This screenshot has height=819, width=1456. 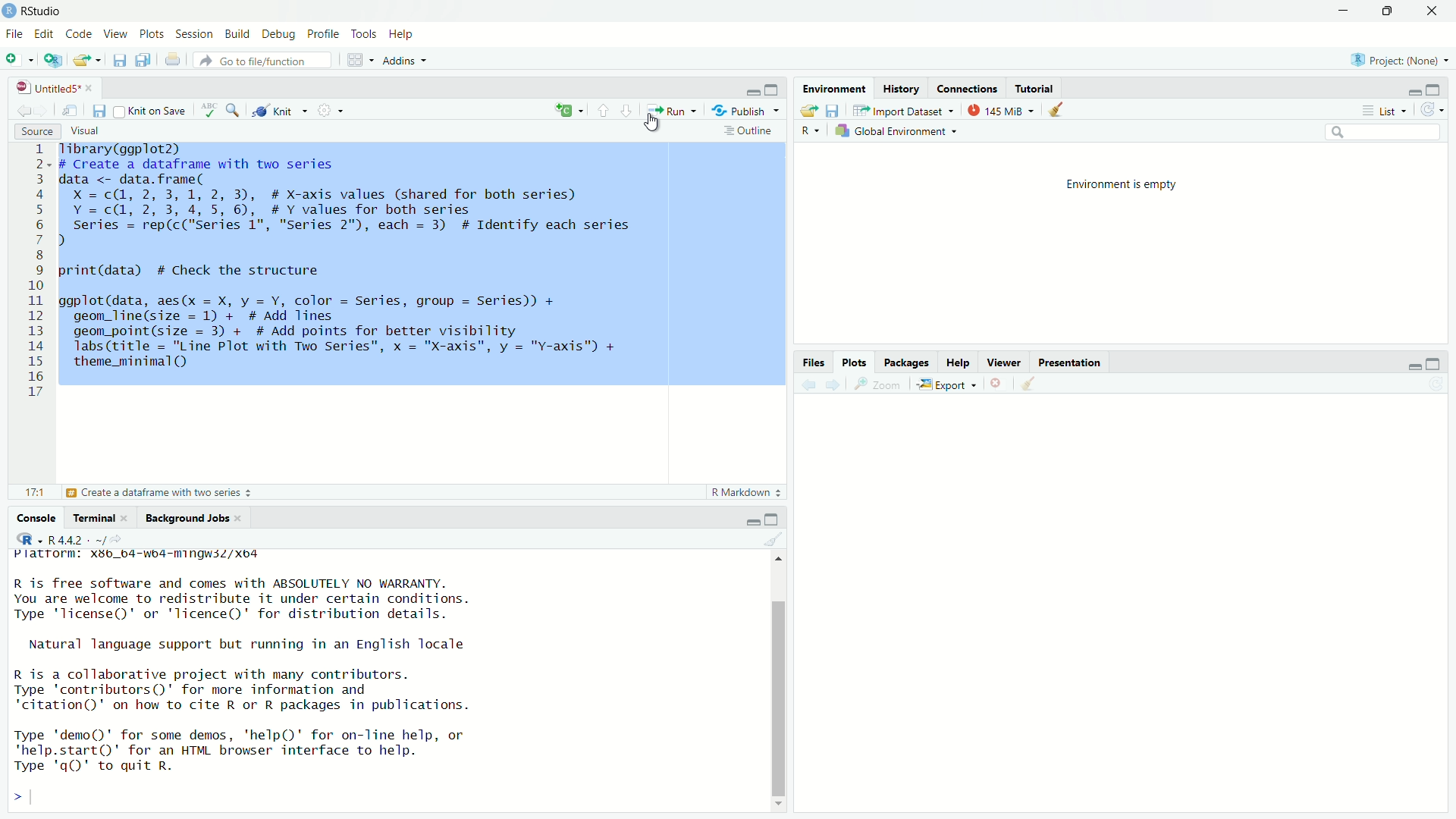 I want to click on Minimize, so click(x=751, y=91).